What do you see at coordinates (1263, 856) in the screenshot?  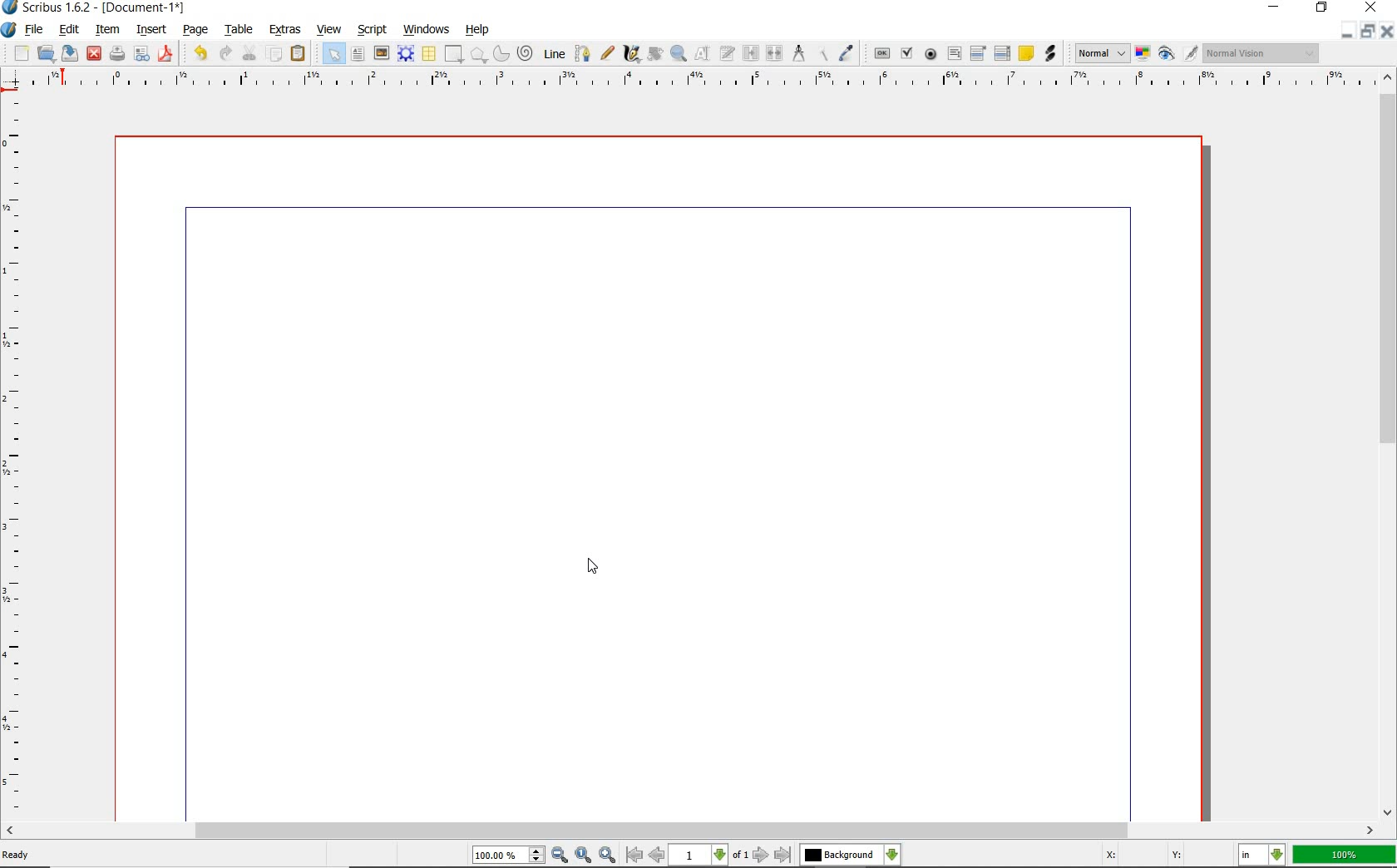 I see `select the current unit` at bounding box center [1263, 856].